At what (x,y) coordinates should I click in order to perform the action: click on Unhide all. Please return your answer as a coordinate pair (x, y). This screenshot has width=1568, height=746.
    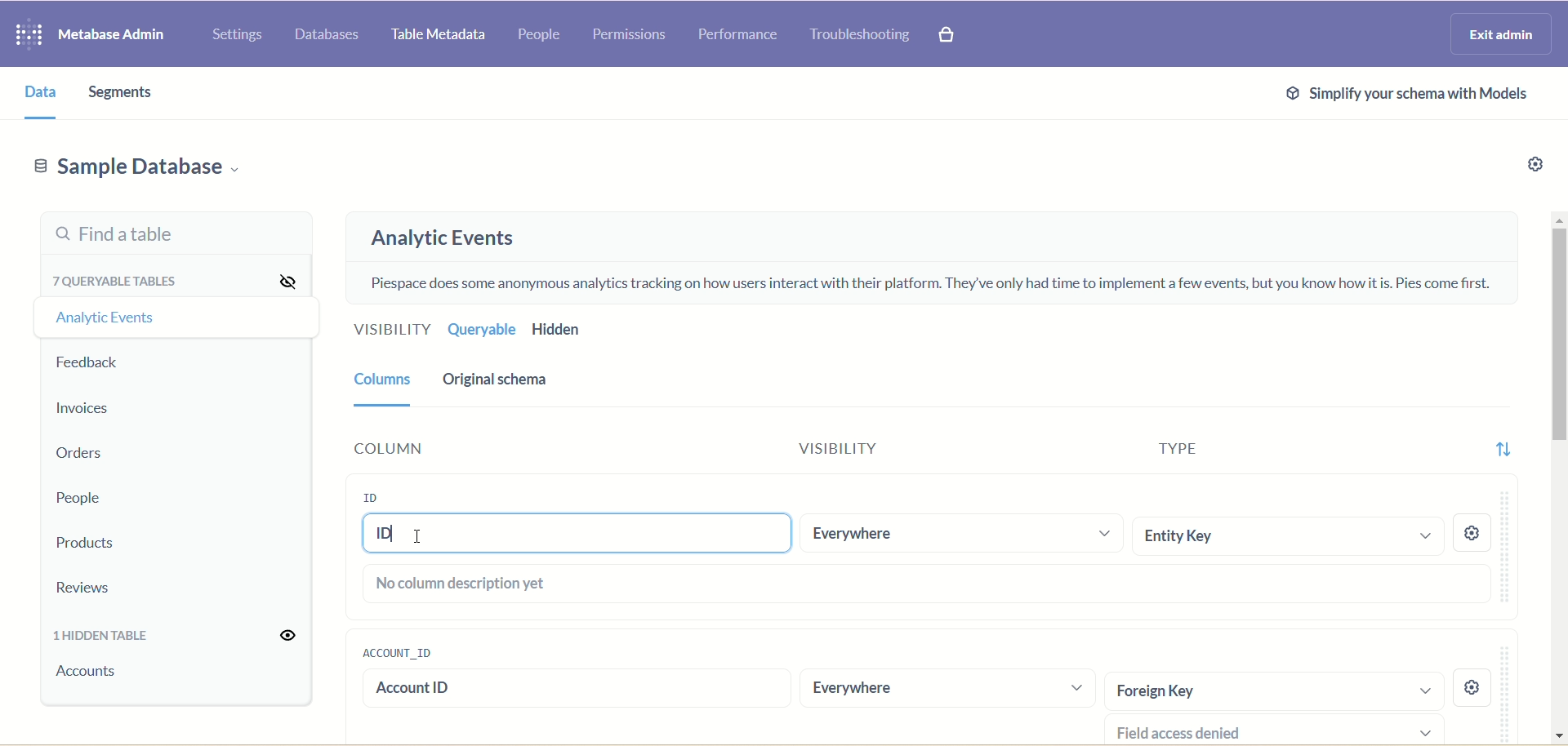
    Looking at the image, I should click on (287, 633).